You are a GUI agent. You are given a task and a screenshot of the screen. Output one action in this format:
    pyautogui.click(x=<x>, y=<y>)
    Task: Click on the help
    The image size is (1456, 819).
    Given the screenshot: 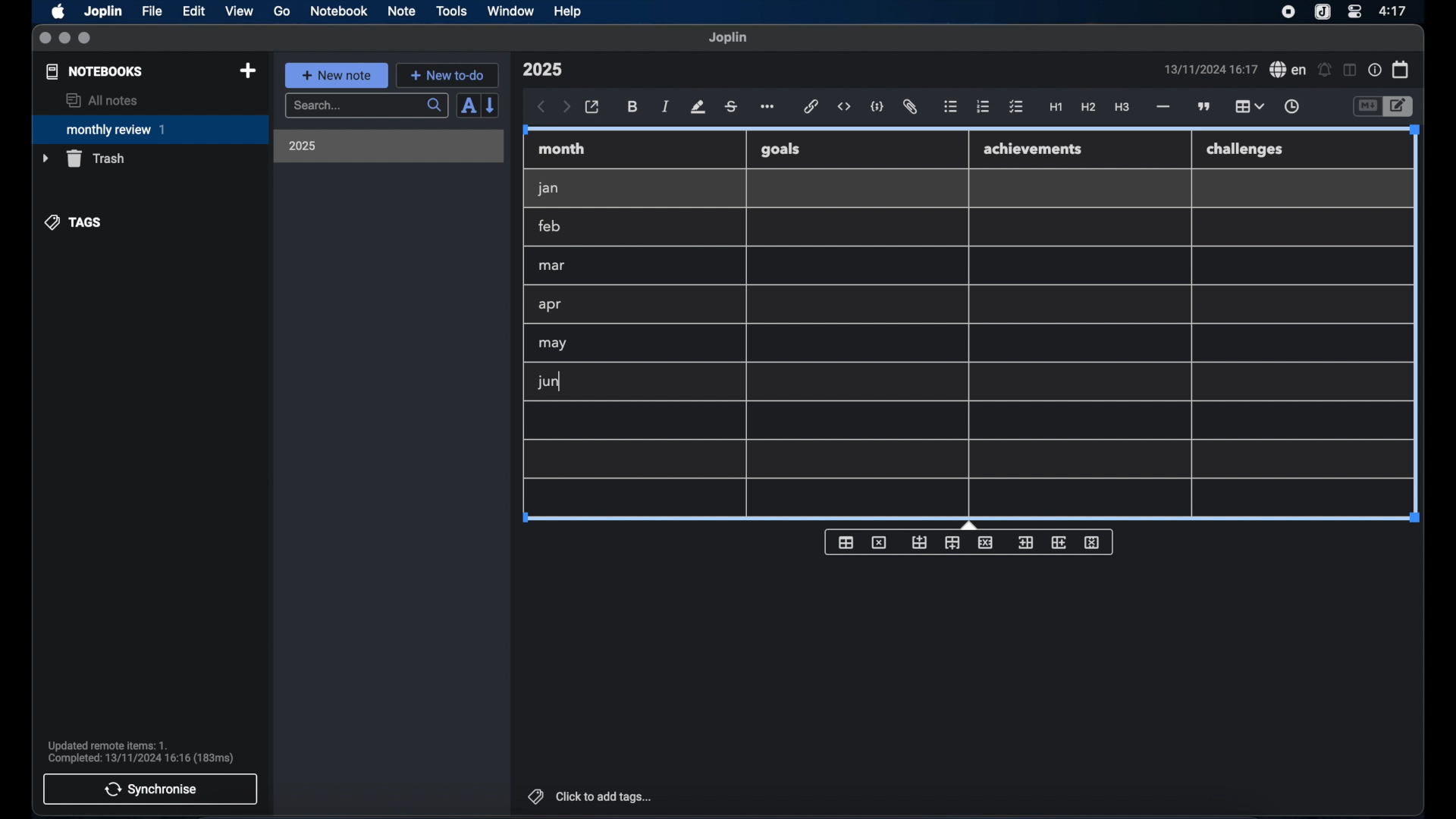 What is the action you would take?
    pyautogui.click(x=569, y=11)
    